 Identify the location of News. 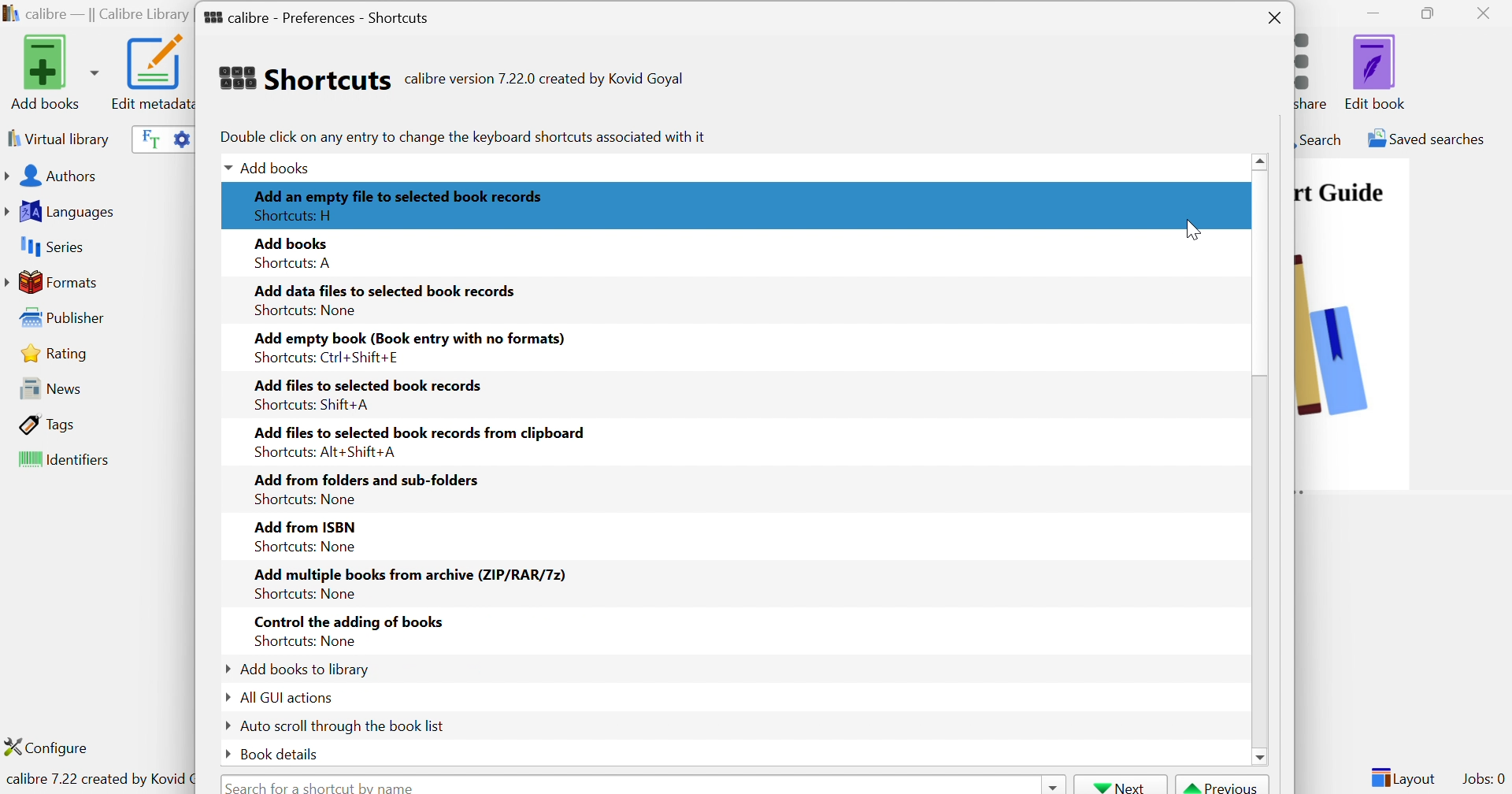
(46, 388).